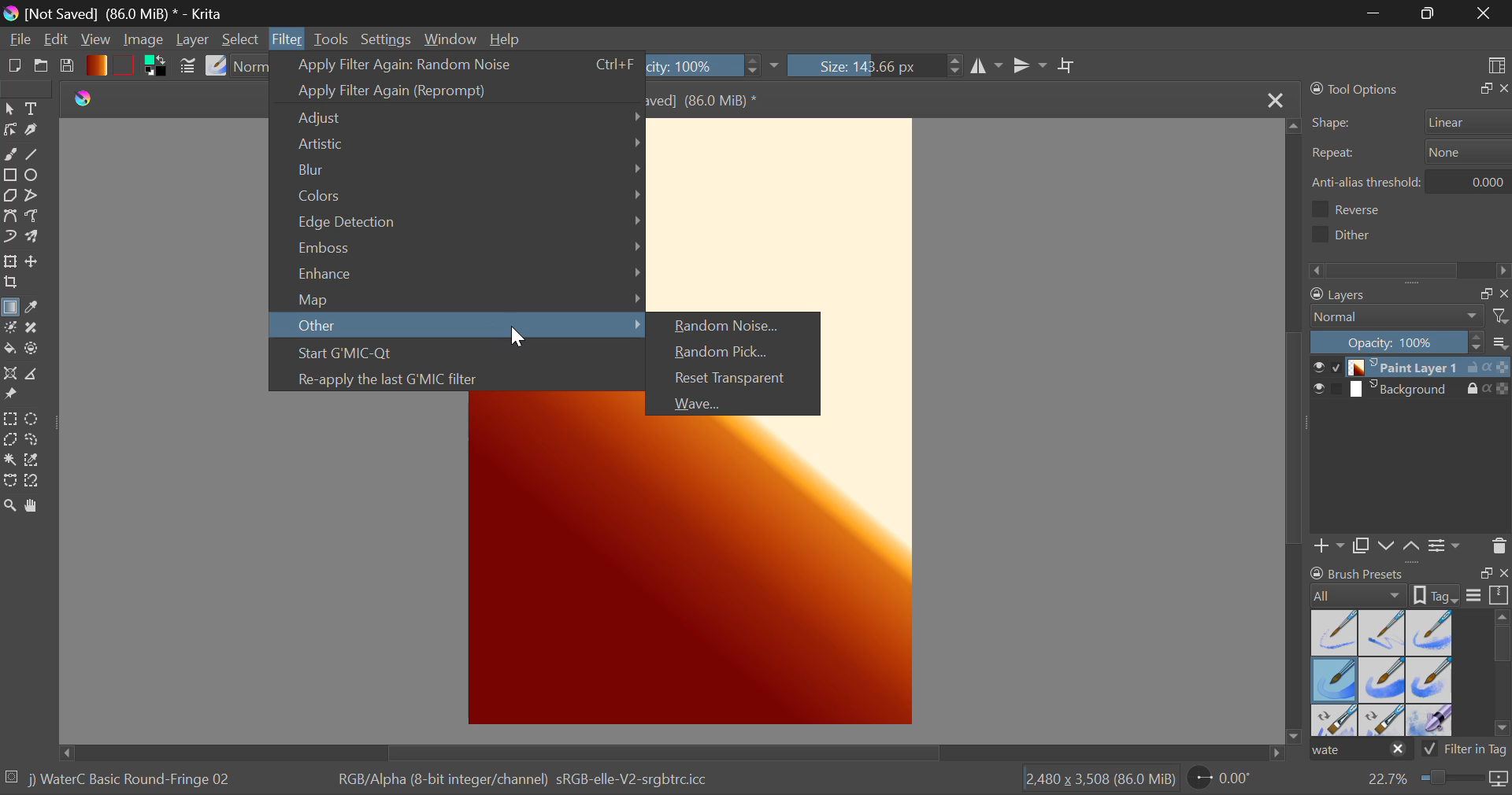 This screenshot has height=795, width=1512. Describe the element at coordinates (1398, 316) in the screenshot. I see `normal` at that location.